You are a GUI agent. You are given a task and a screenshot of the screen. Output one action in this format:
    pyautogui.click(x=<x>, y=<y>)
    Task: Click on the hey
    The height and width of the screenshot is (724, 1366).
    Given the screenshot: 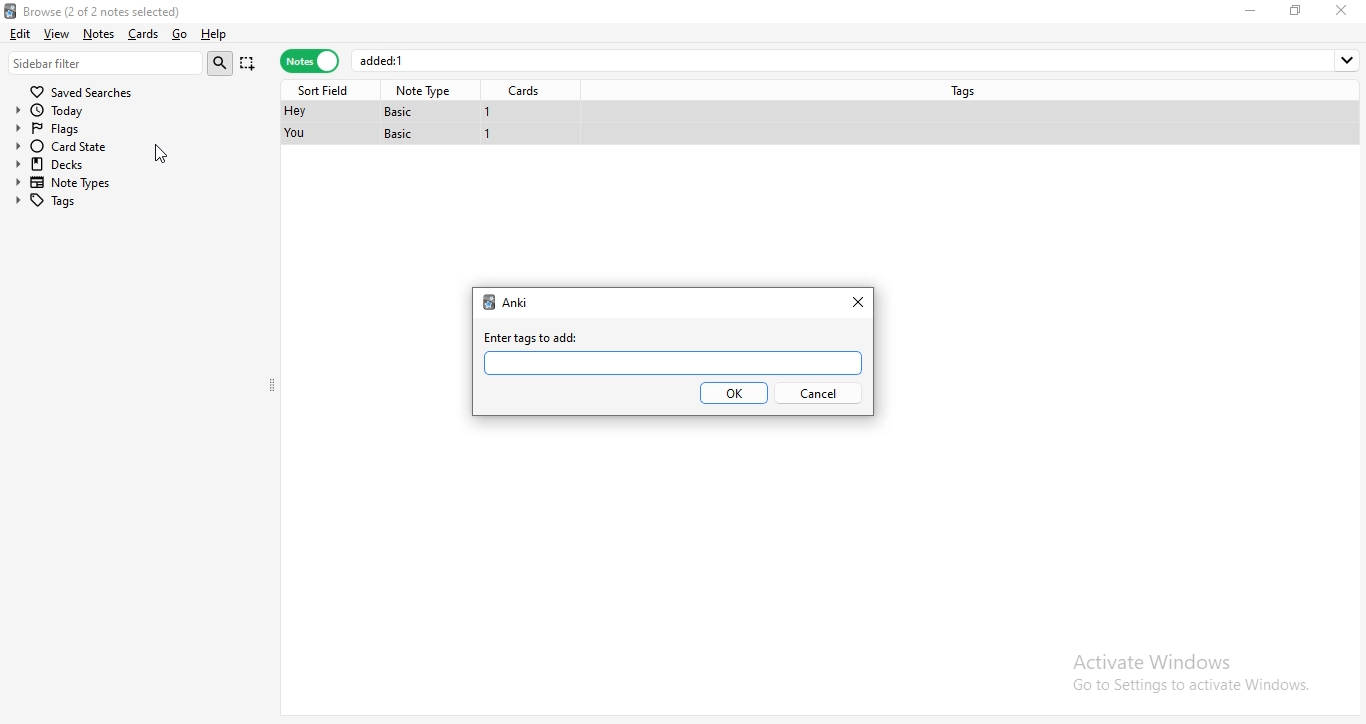 What is the action you would take?
    pyautogui.click(x=294, y=112)
    